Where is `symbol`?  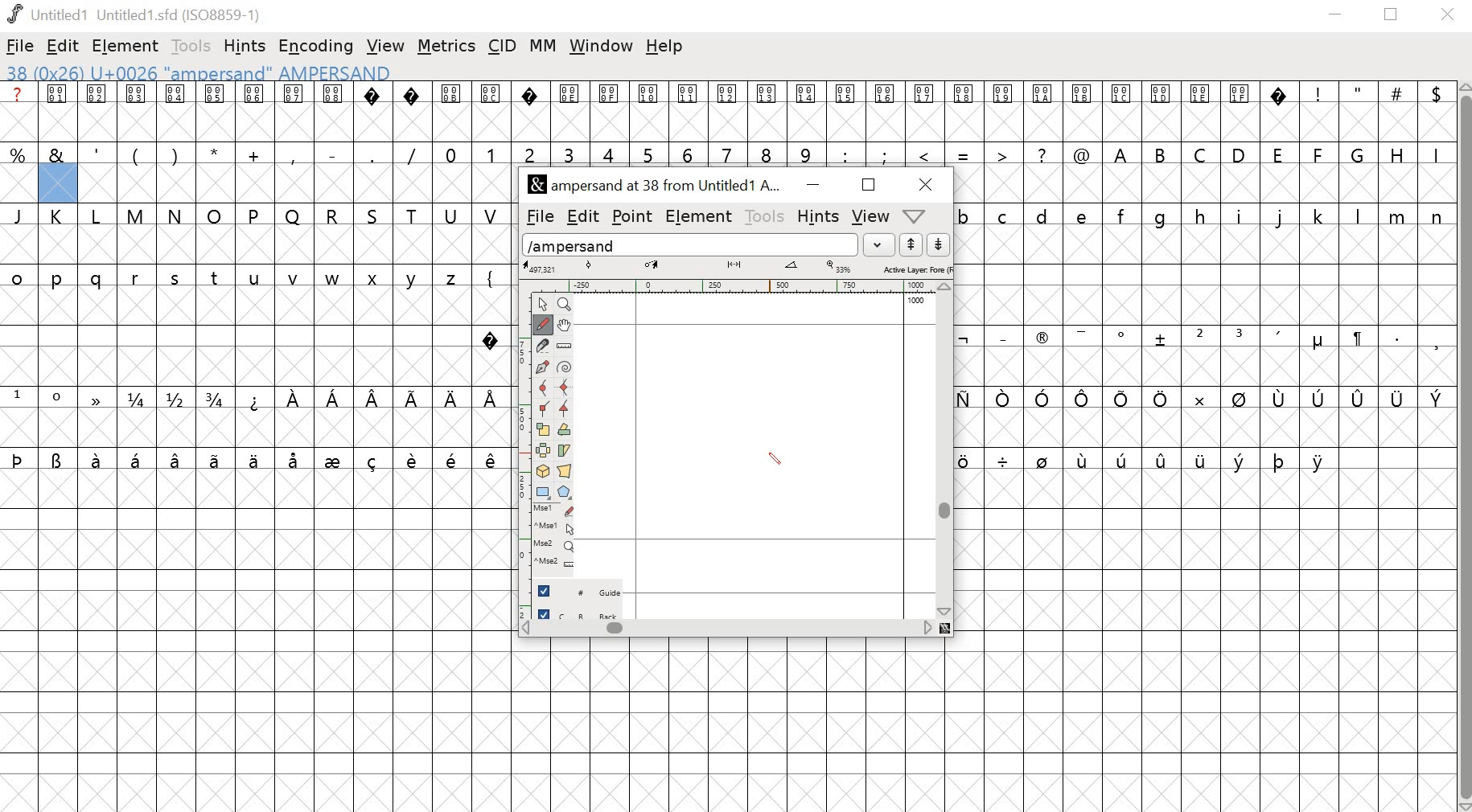
symbol is located at coordinates (1043, 459).